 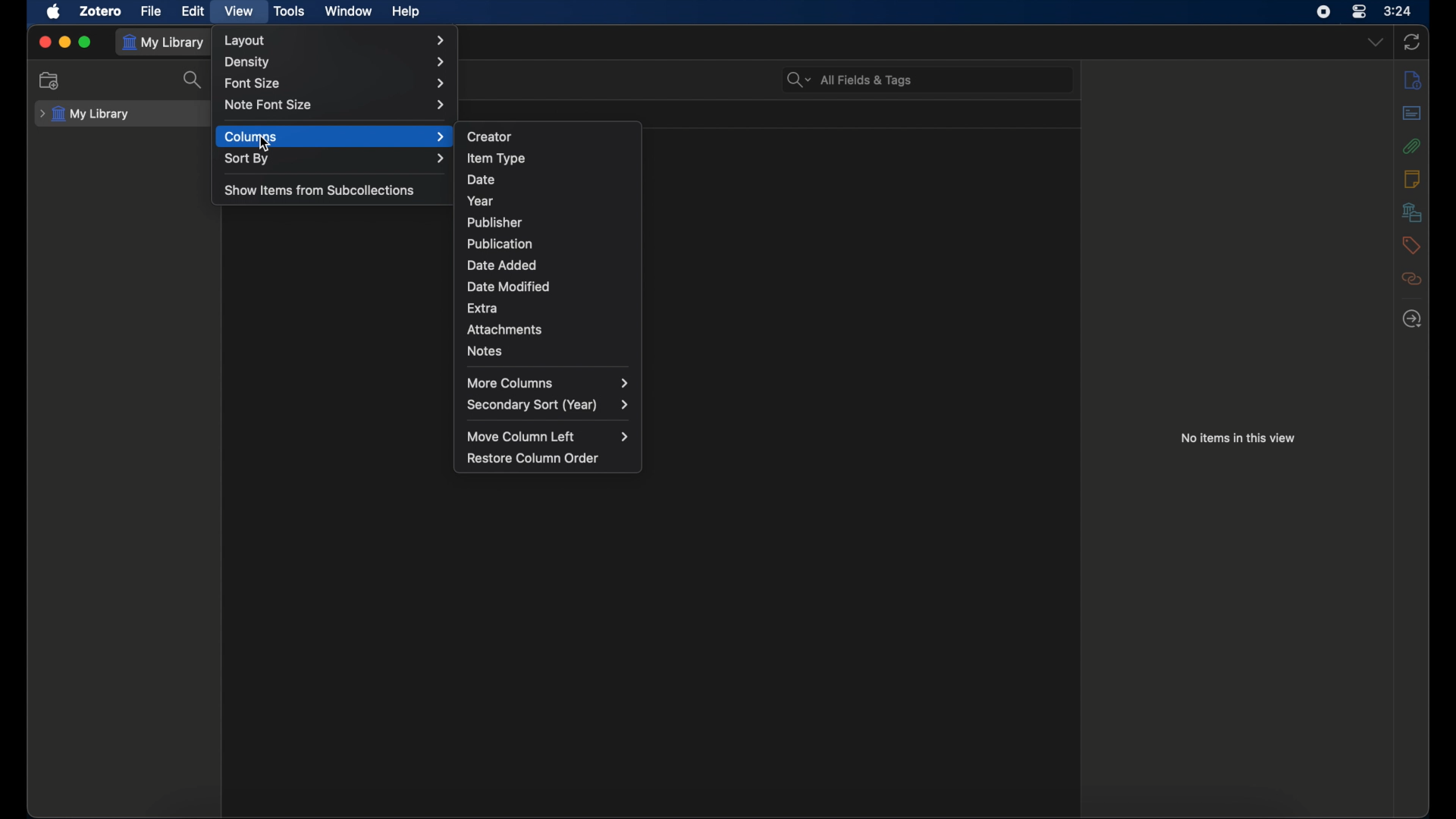 I want to click on my library, so click(x=85, y=115).